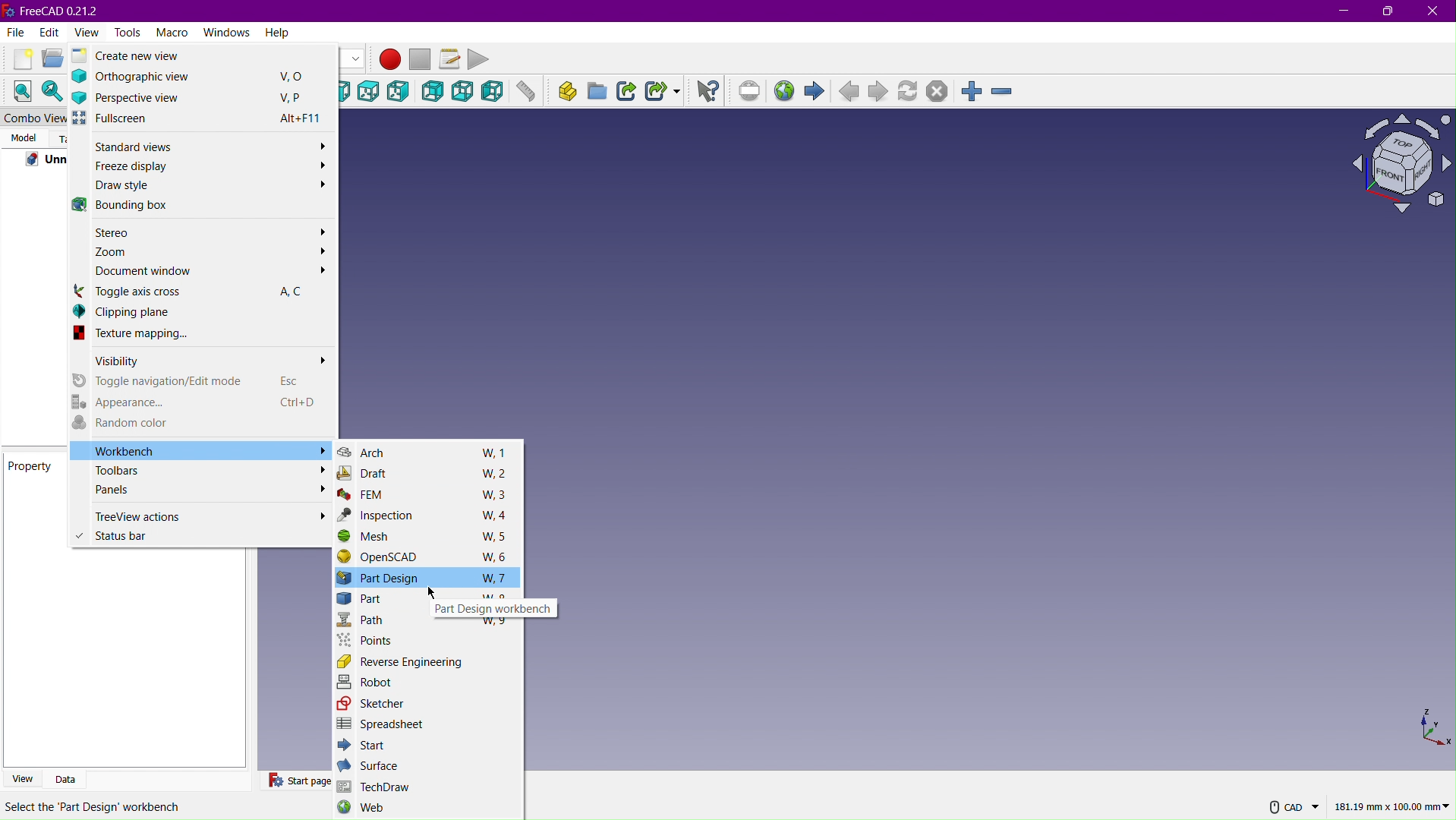 Image resolution: width=1456 pixels, height=820 pixels. Describe the element at coordinates (877, 92) in the screenshot. I see `Next page` at that location.